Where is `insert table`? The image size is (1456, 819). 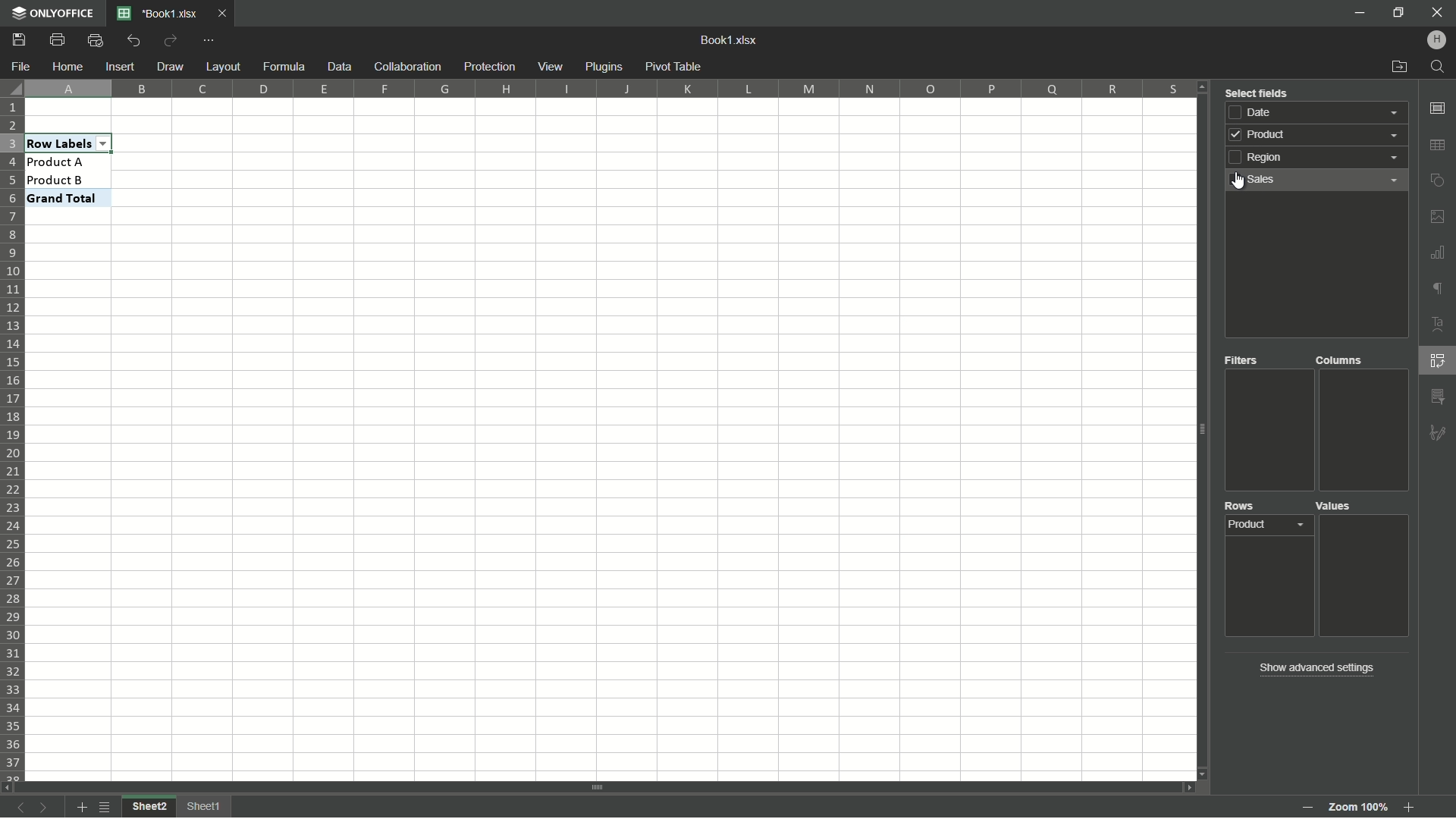 insert table is located at coordinates (1439, 146).